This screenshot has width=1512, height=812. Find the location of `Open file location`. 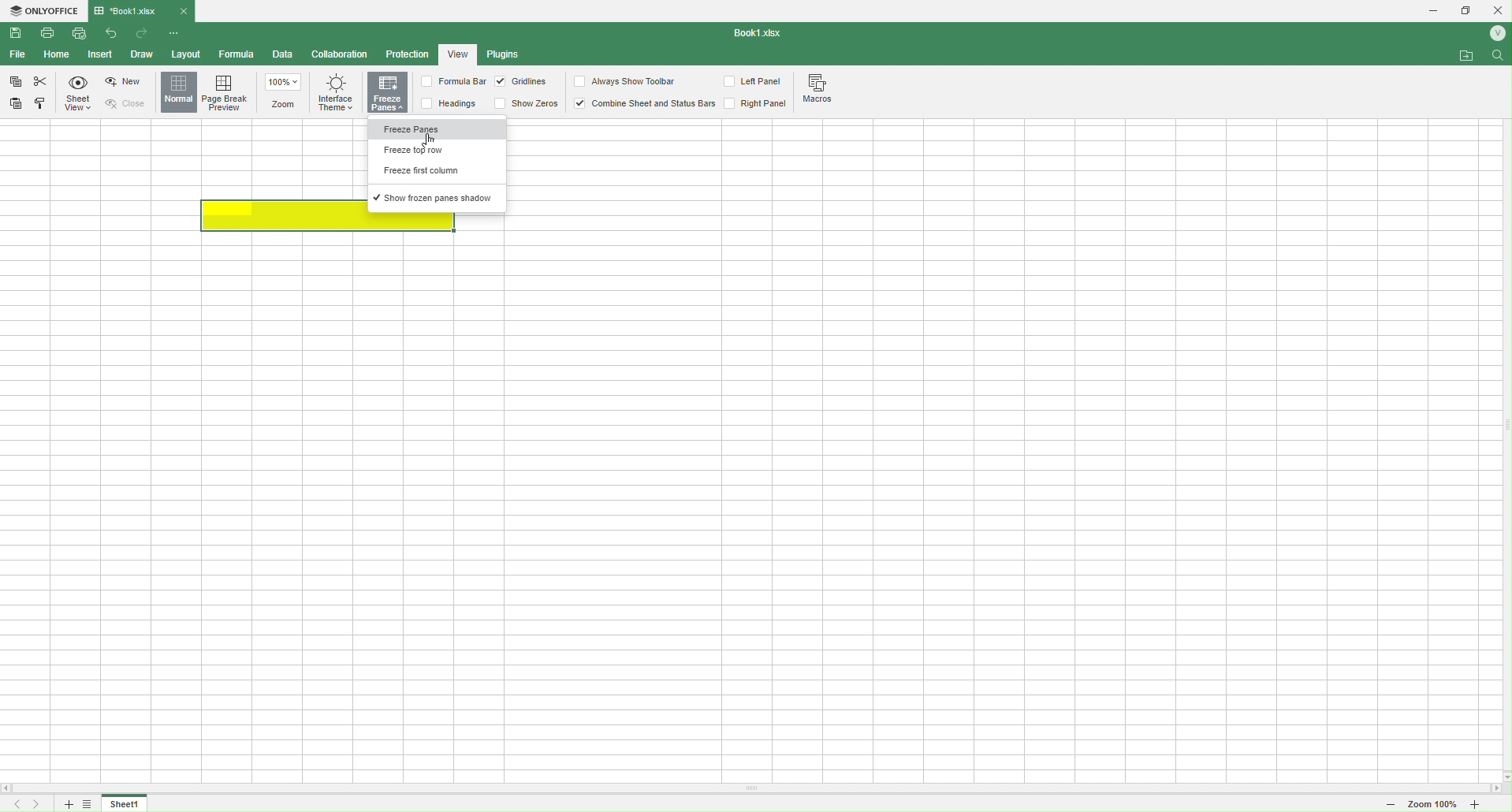

Open file location is located at coordinates (1467, 55).